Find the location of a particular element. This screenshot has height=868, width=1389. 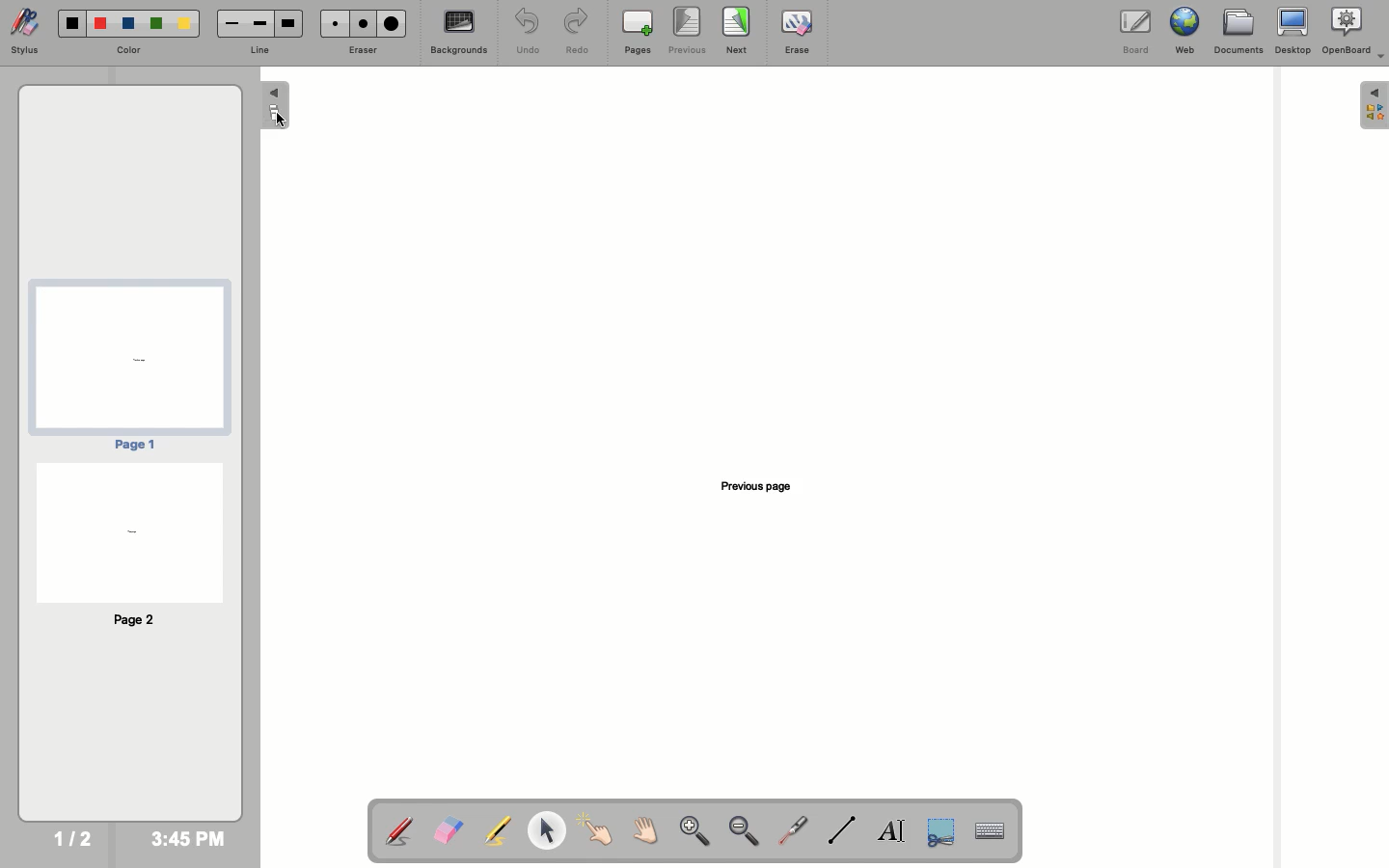

Large eraser is located at coordinates (391, 23).